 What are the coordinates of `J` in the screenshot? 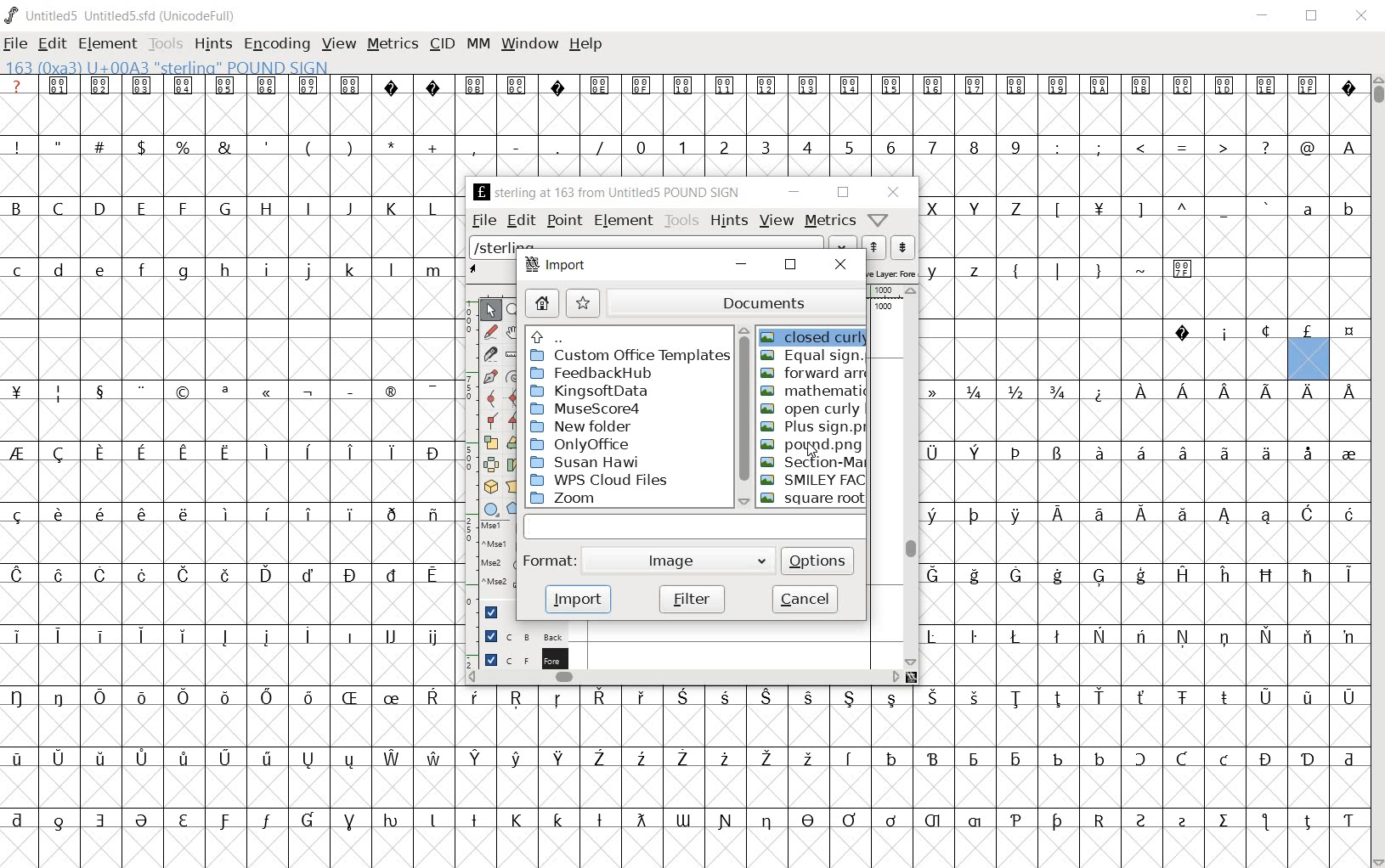 It's located at (348, 208).